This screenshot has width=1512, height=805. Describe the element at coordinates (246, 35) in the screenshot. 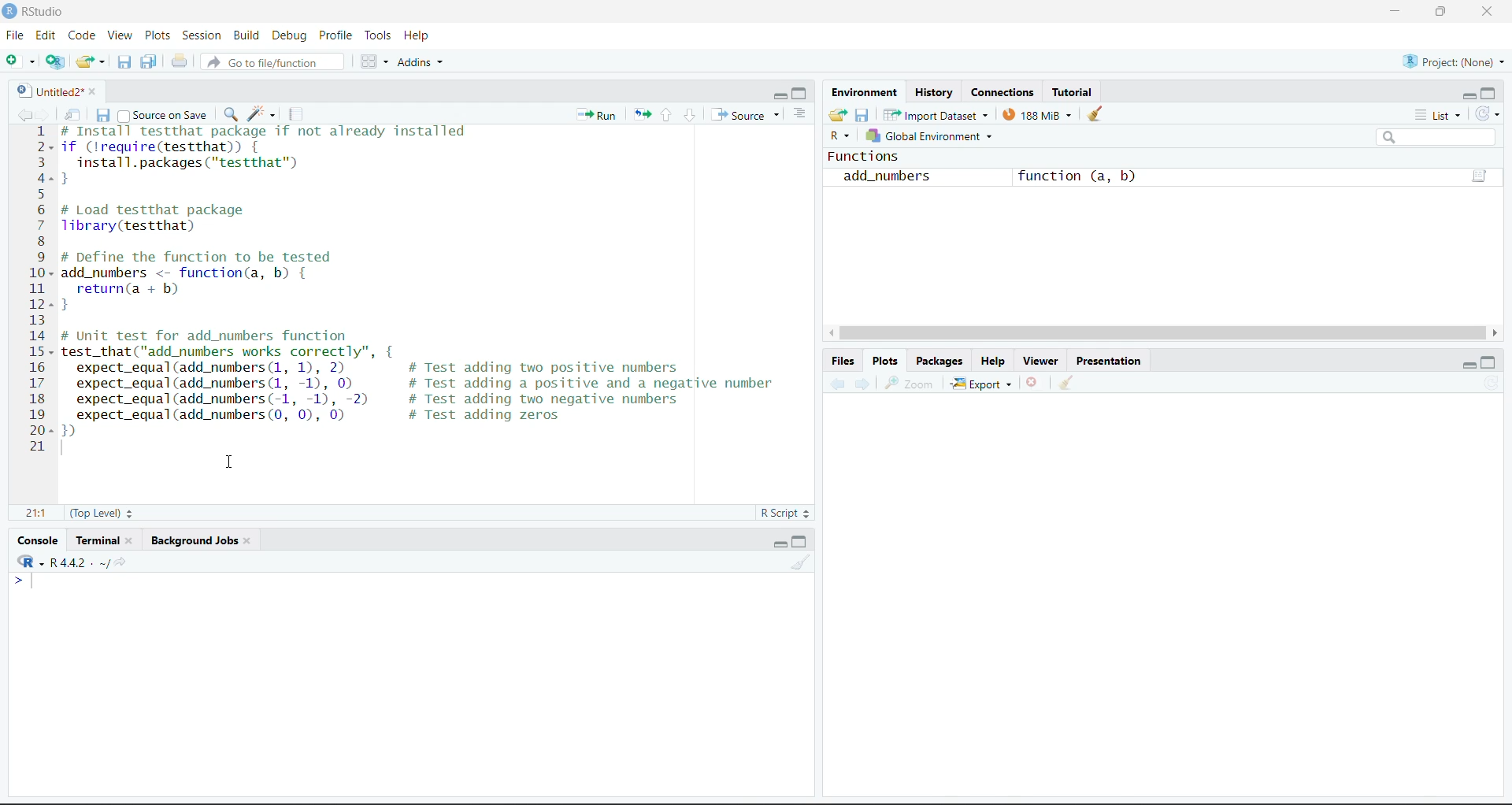

I see `Build` at that location.